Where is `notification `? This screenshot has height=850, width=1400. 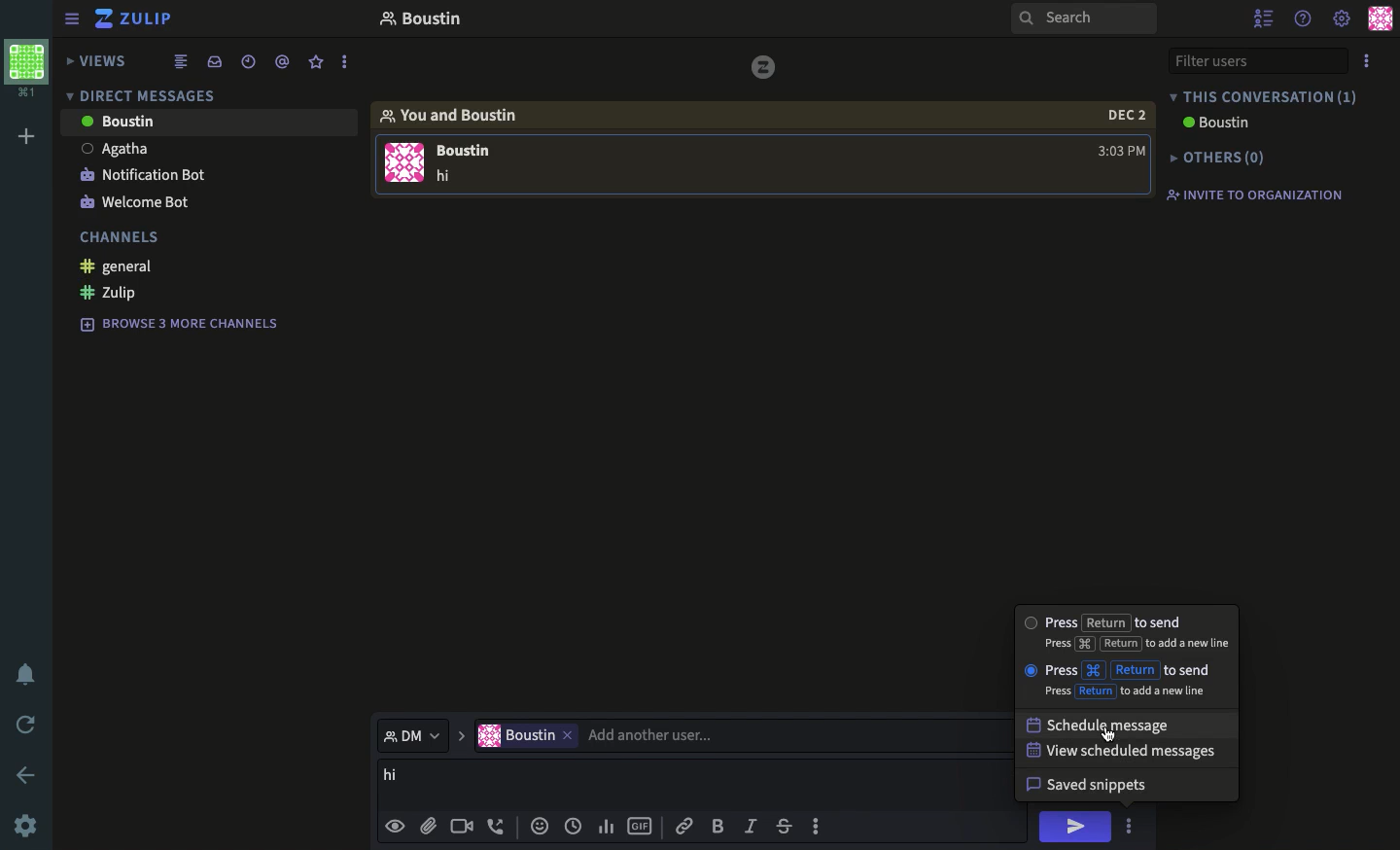 notification  is located at coordinates (28, 674).